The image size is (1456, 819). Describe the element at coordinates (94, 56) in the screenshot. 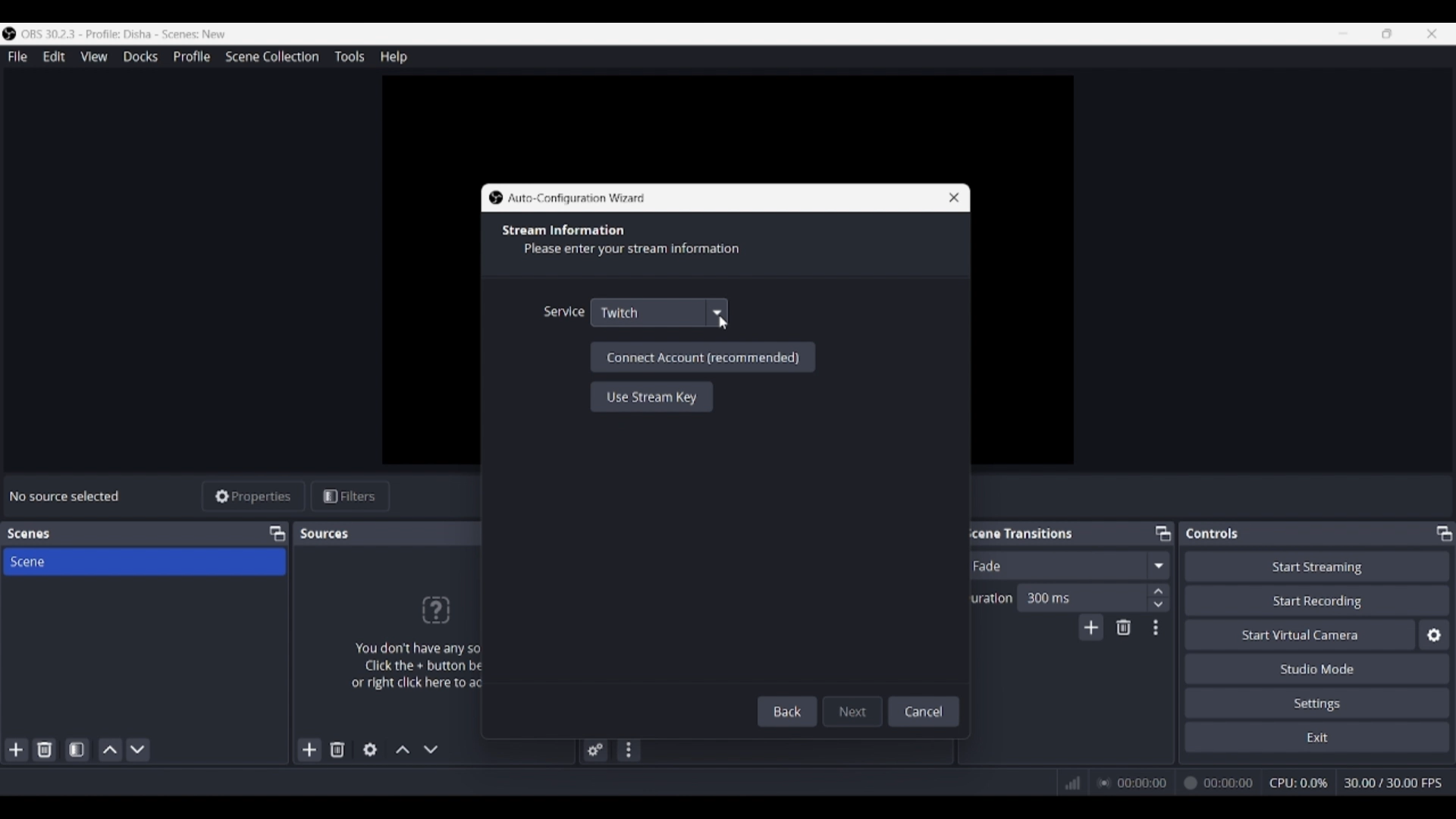

I see `View menu` at that location.